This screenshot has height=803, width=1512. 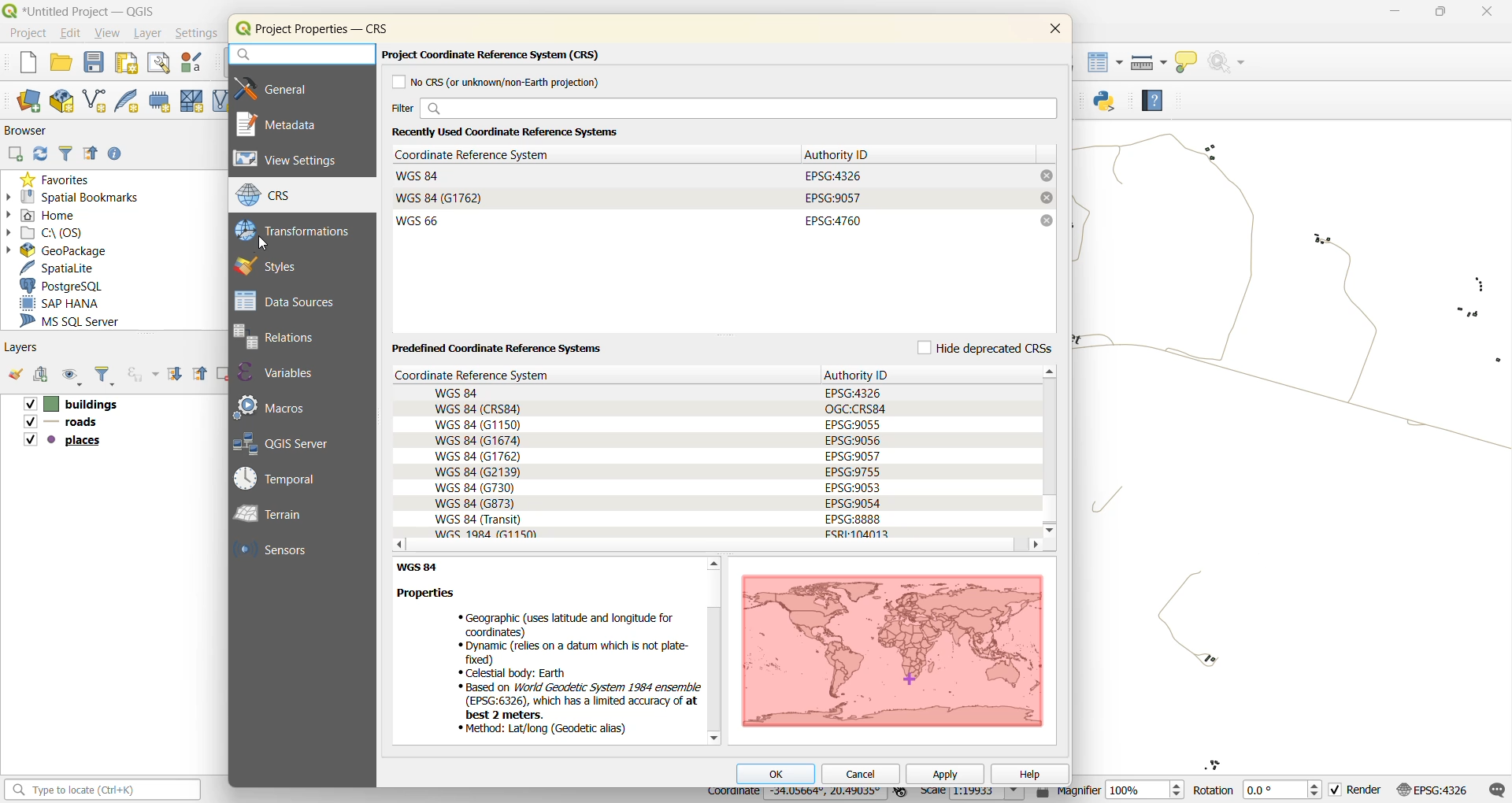 What do you see at coordinates (39, 154) in the screenshot?
I see `refresh` at bounding box center [39, 154].